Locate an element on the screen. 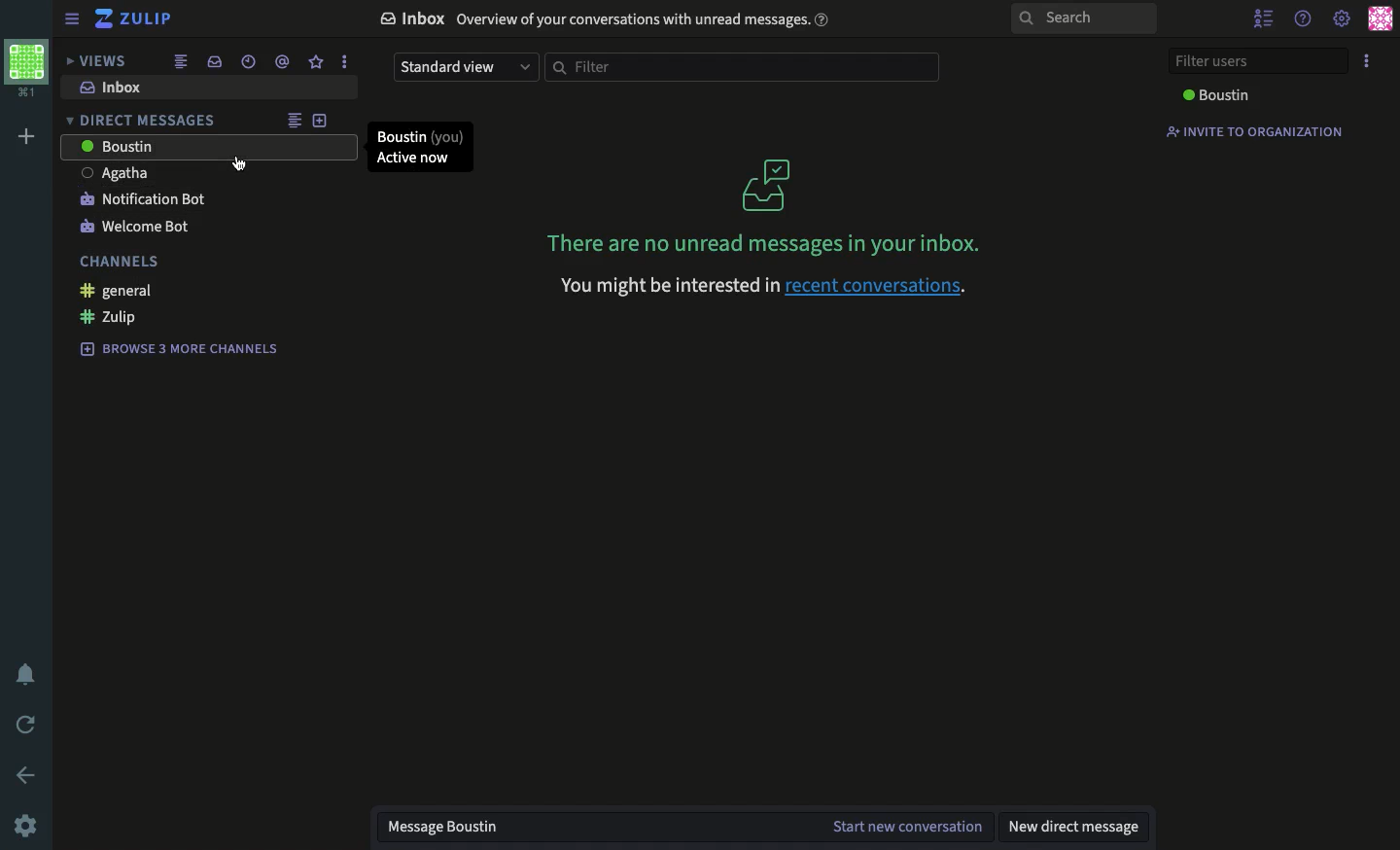 This screenshot has width=1400, height=850. start new conversation is located at coordinates (909, 826).